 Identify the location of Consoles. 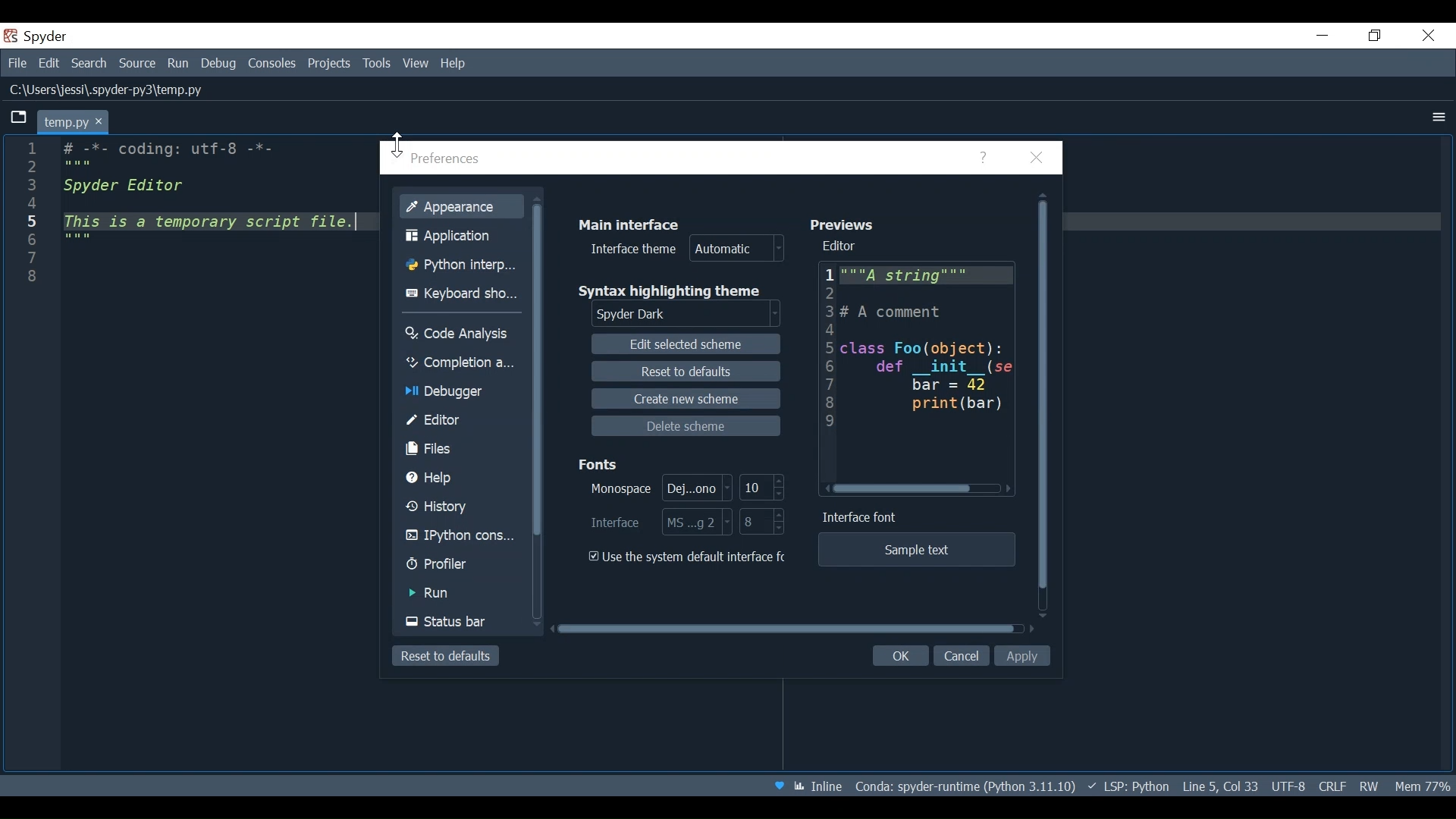
(274, 64).